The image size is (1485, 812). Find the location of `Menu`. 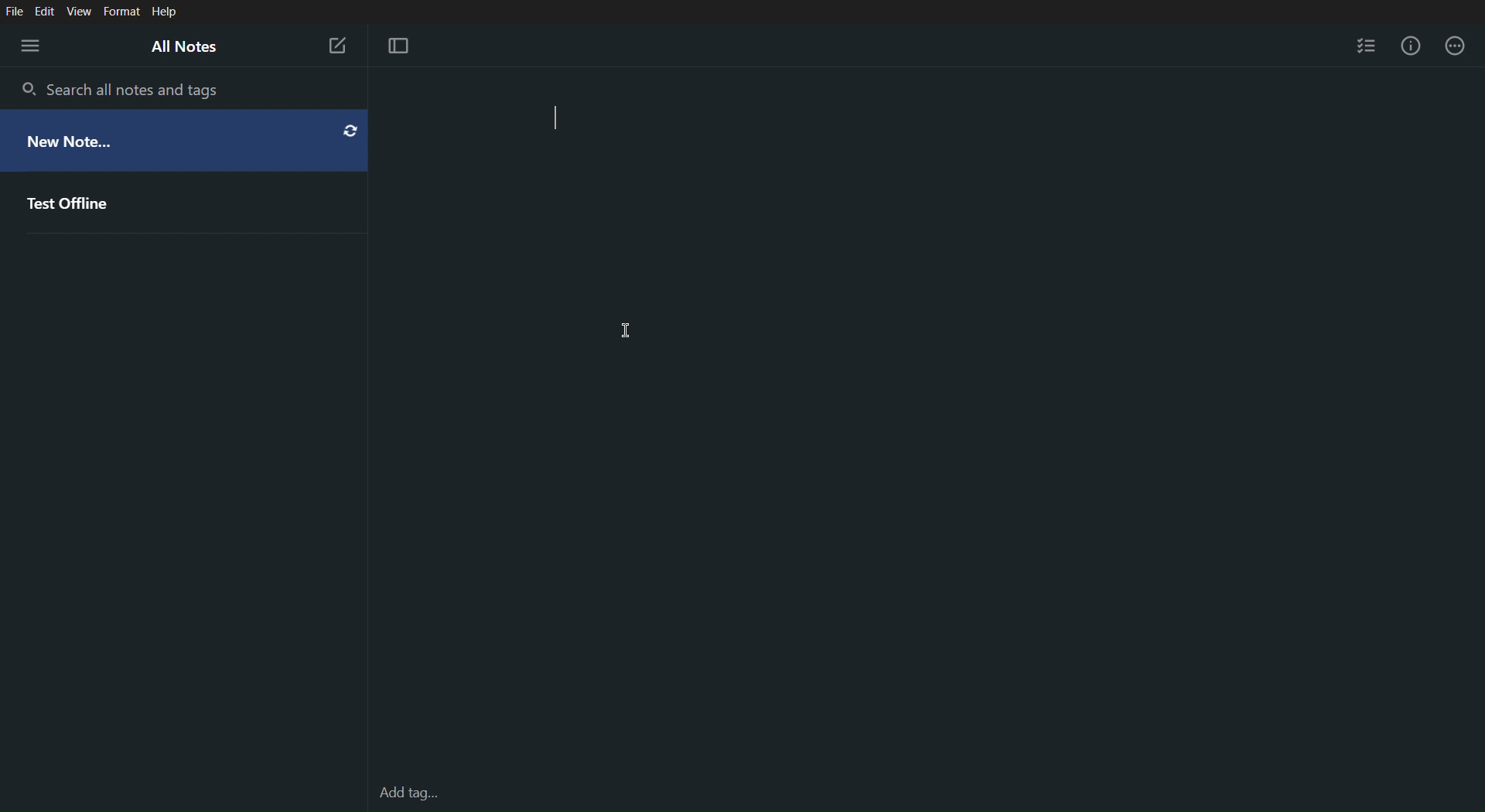

Menu is located at coordinates (28, 44).